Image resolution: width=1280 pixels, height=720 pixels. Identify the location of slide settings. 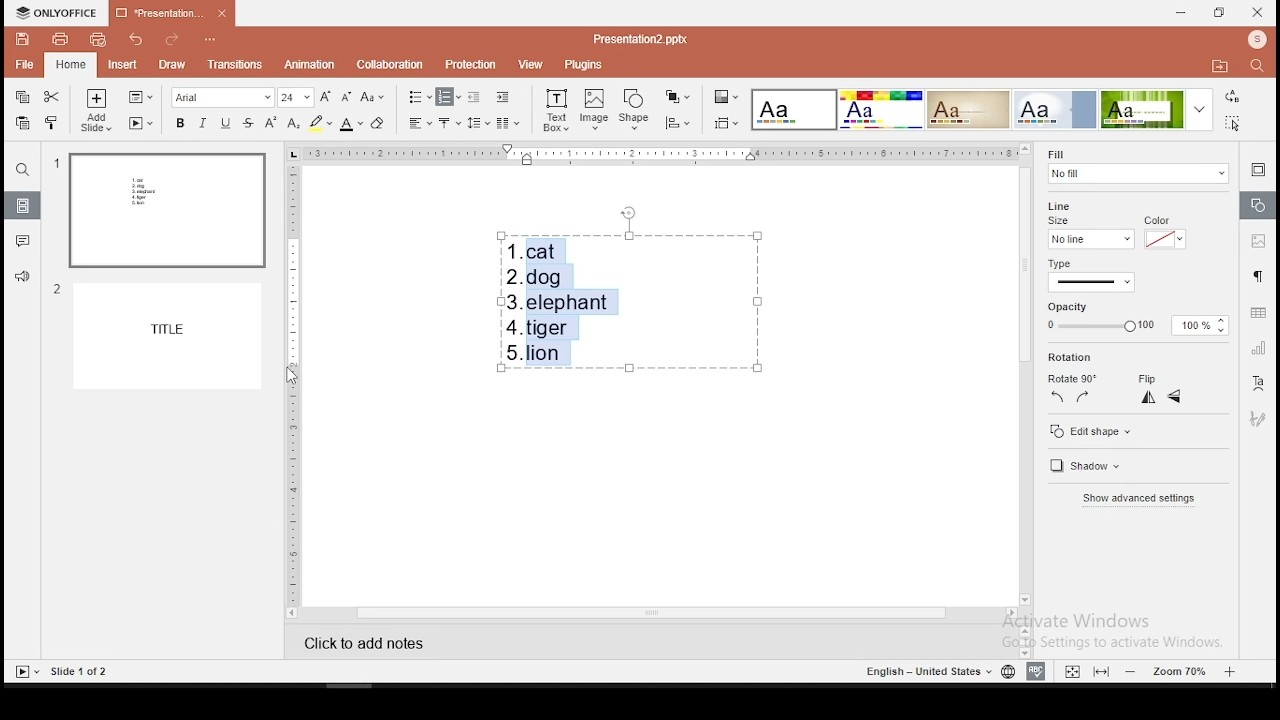
(1257, 170).